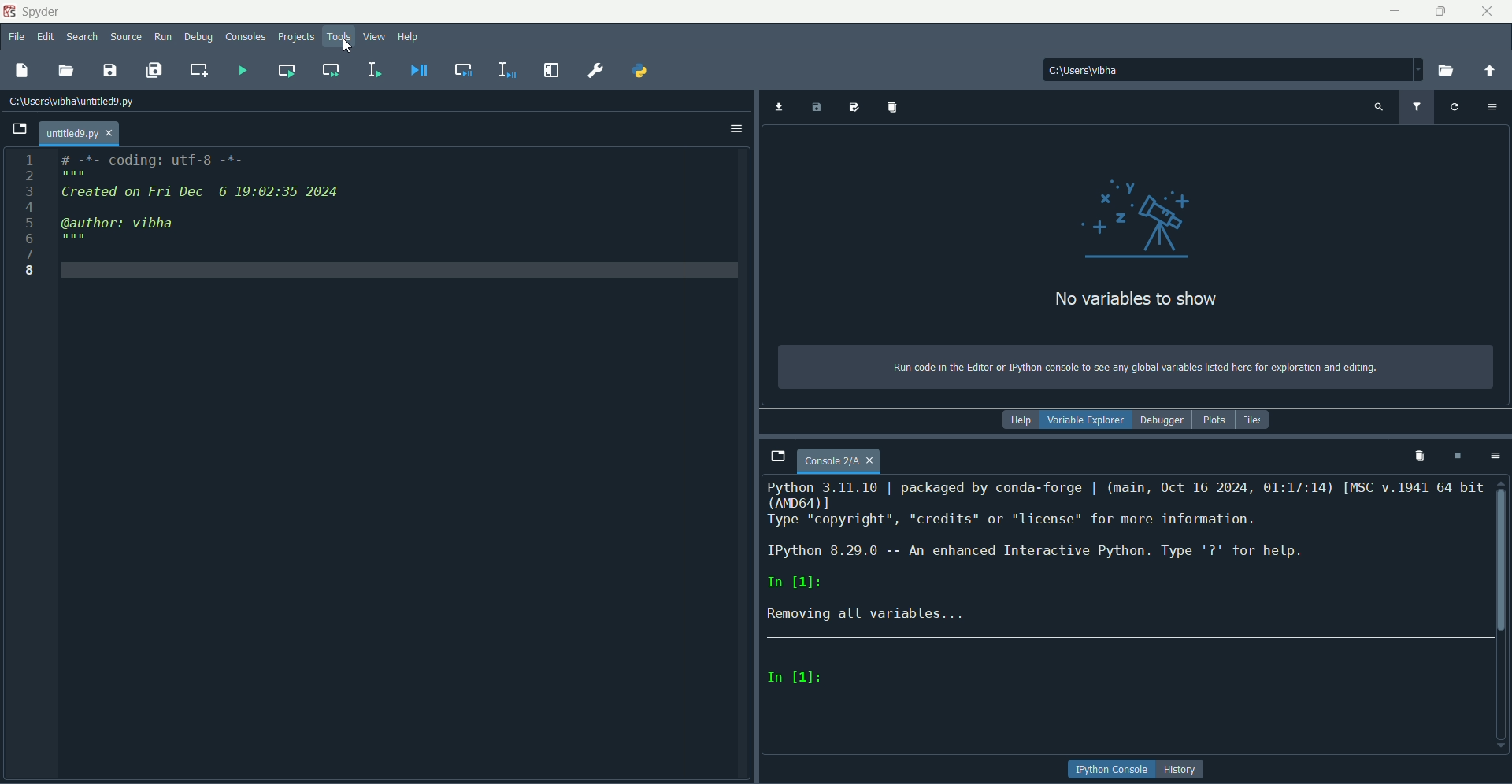  Describe the element at coordinates (642, 72) in the screenshot. I see `pythonpath manager` at that location.